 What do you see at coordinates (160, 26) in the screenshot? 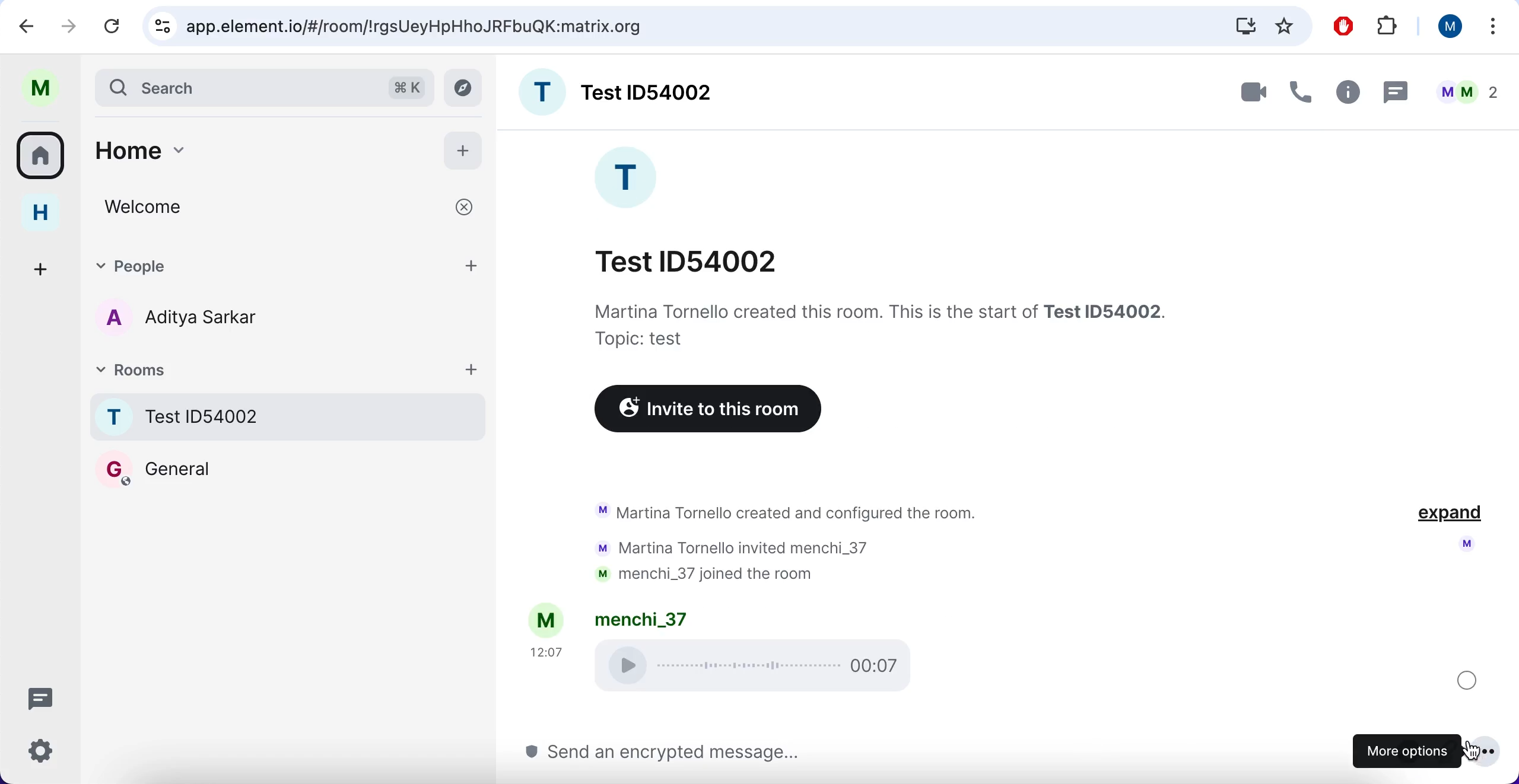
I see `controls` at bounding box center [160, 26].